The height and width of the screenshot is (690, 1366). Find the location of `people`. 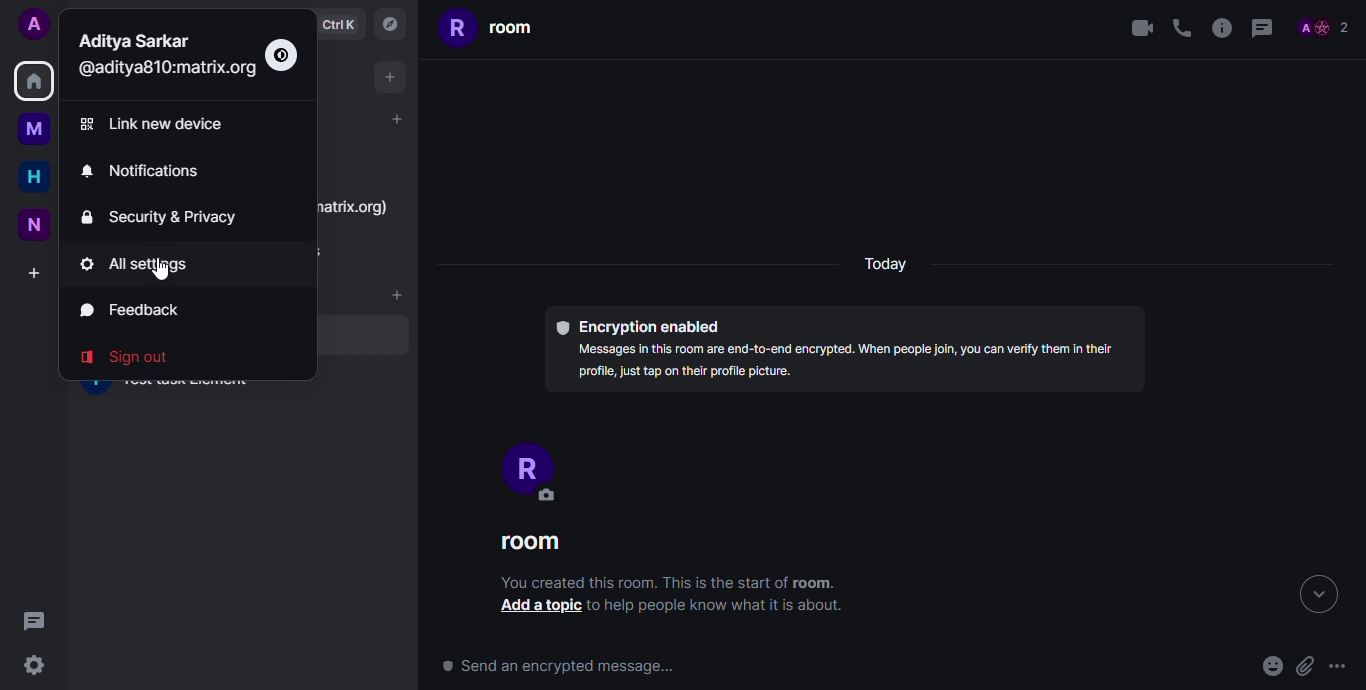

people is located at coordinates (1323, 29).